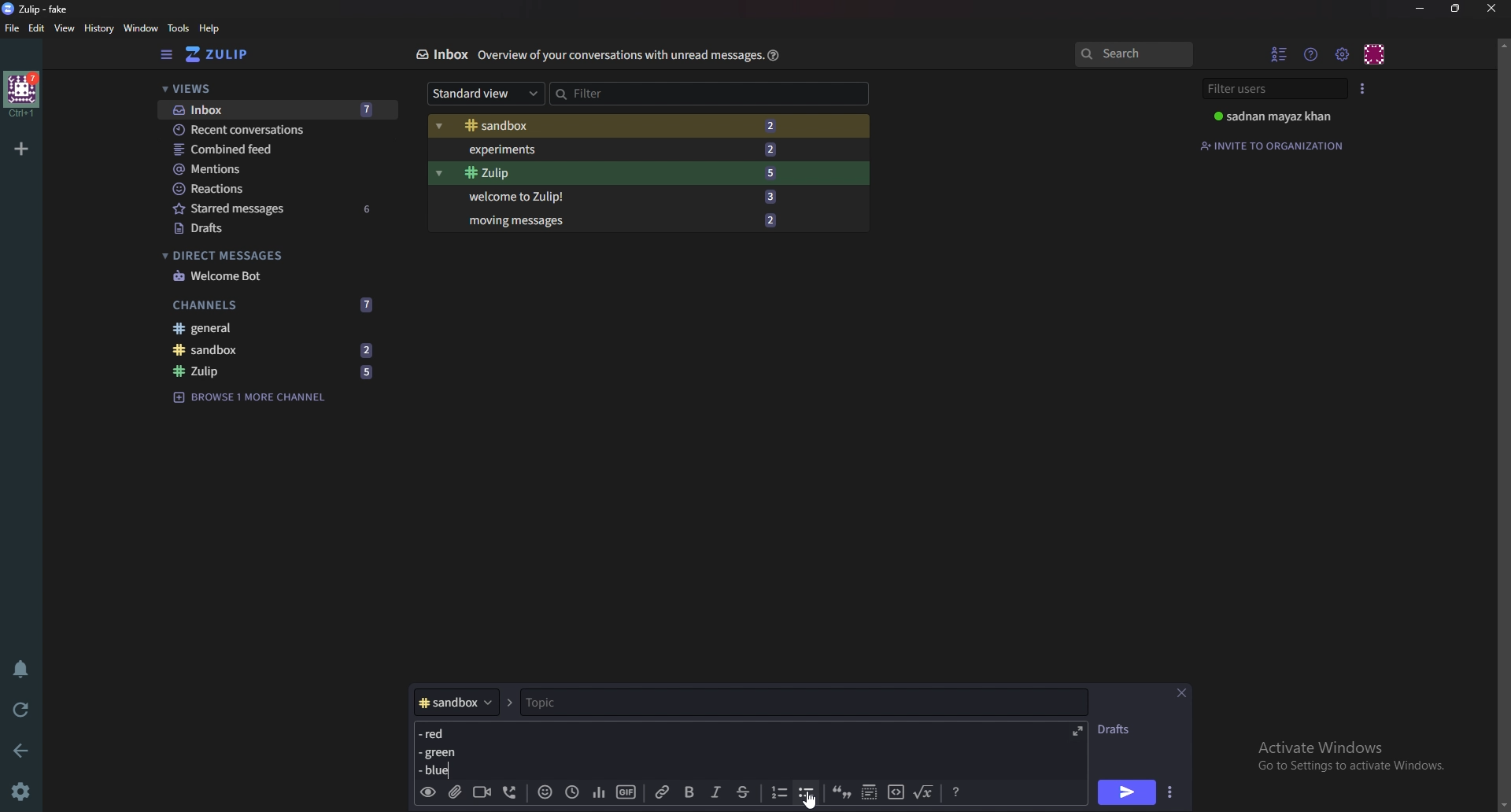 The height and width of the screenshot is (812, 1511). Describe the element at coordinates (277, 149) in the screenshot. I see `combined feed` at that location.